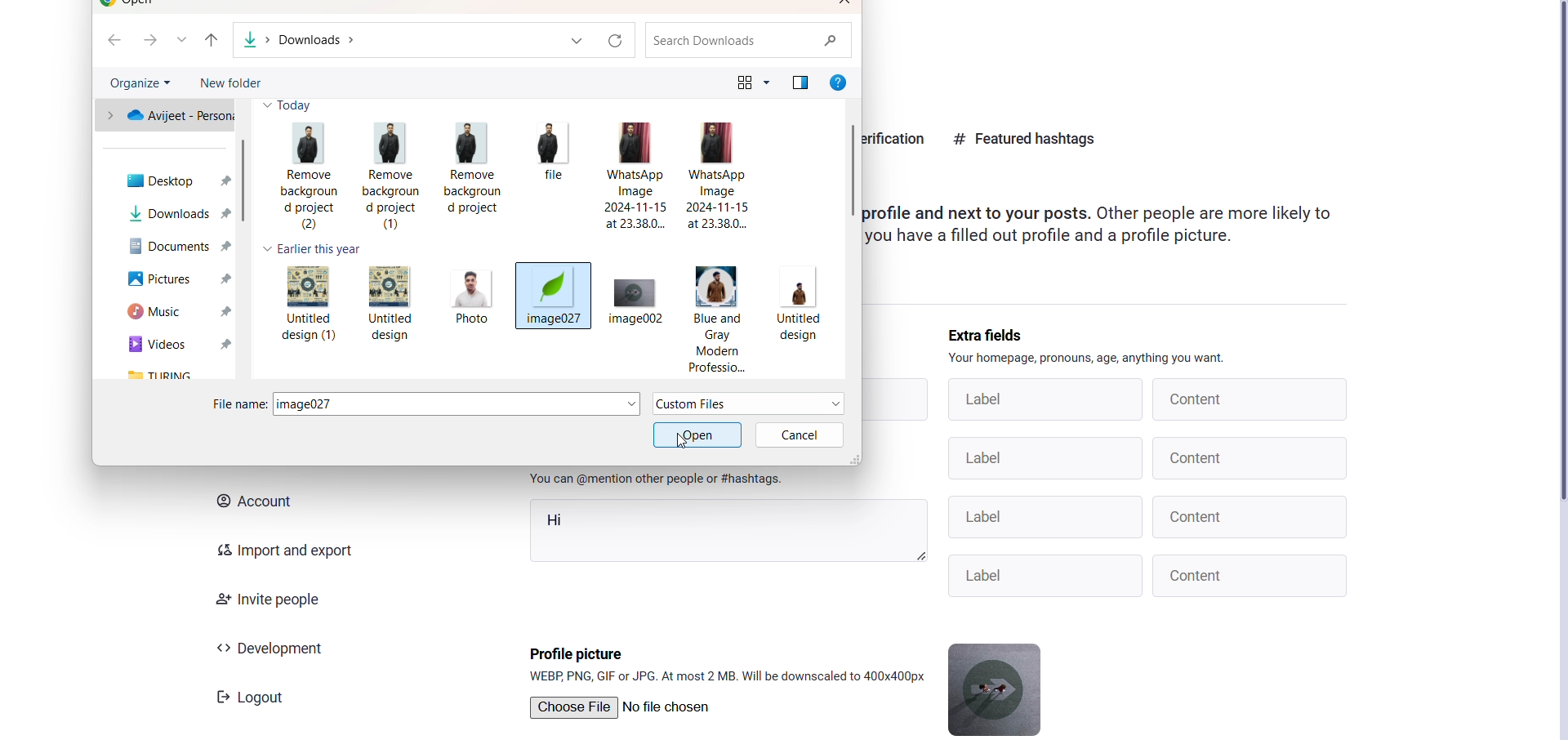  Describe the element at coordinates (291, 108) in the screenshot. I see `today` at that location.